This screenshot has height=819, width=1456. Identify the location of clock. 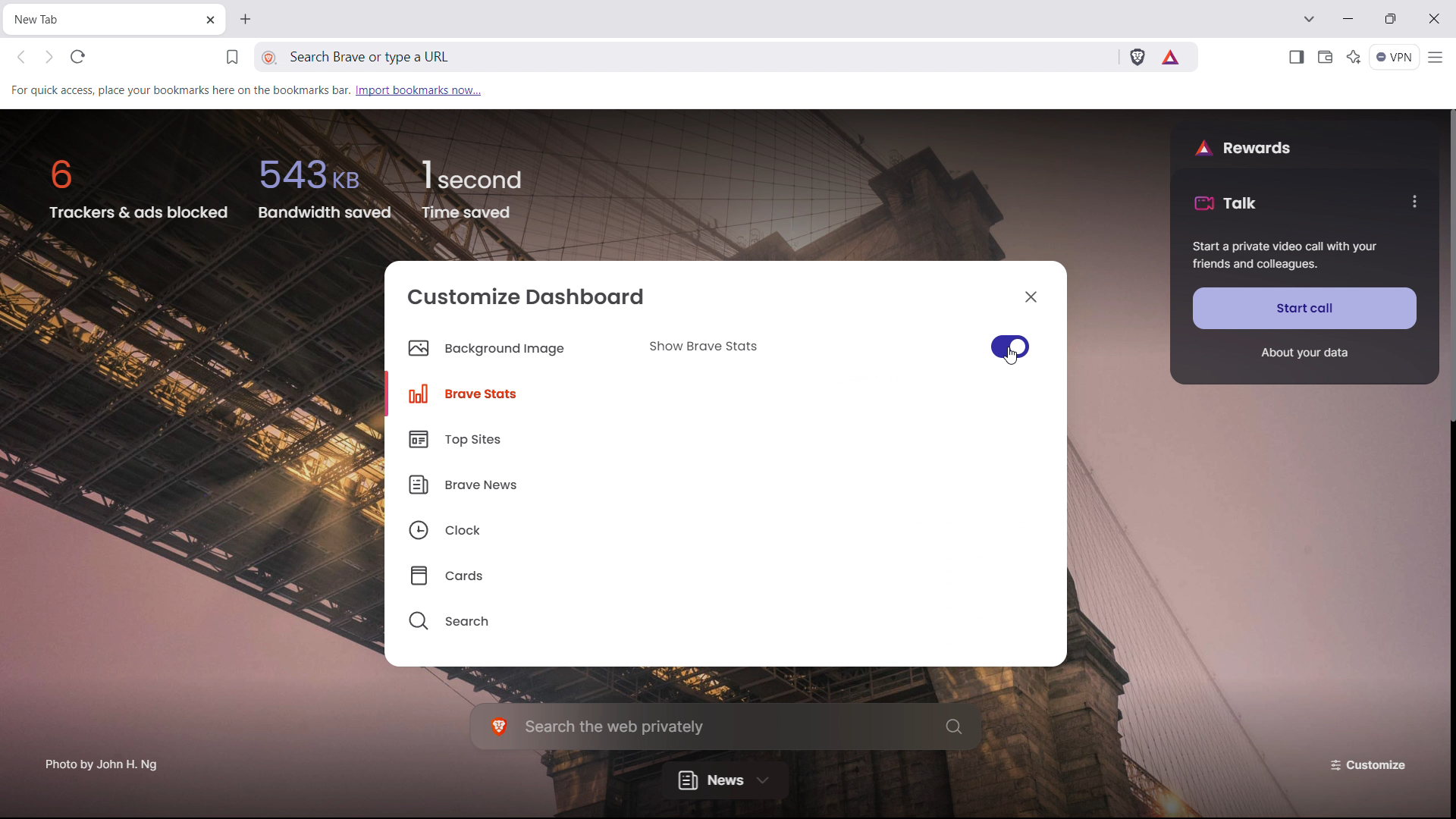
(507, 526).